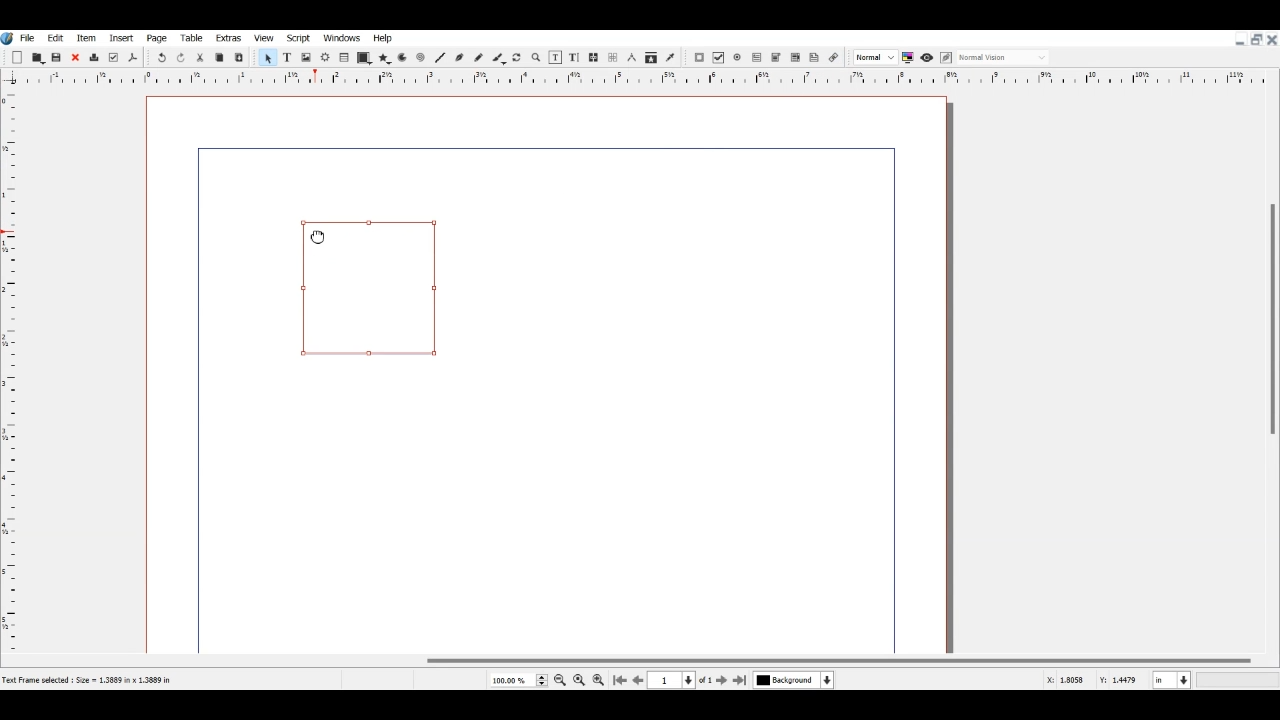 The height and width of the screenshot is (720, 1280). Describe the element at coordinates (8, 38) in the screenshot. I see `Logo` at that location.